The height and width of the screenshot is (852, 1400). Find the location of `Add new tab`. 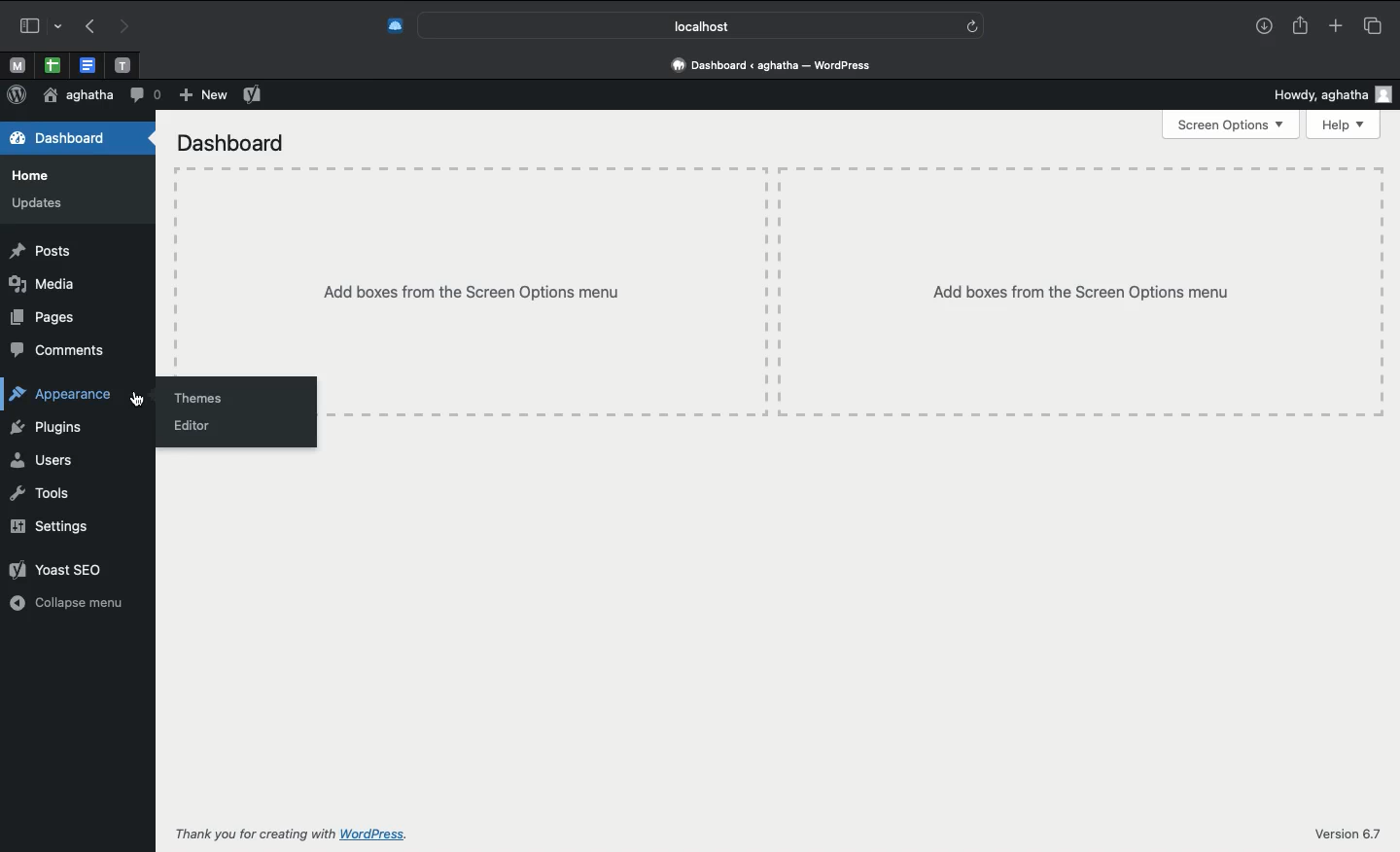

Add new tab is located at coordinates (1335, 22).